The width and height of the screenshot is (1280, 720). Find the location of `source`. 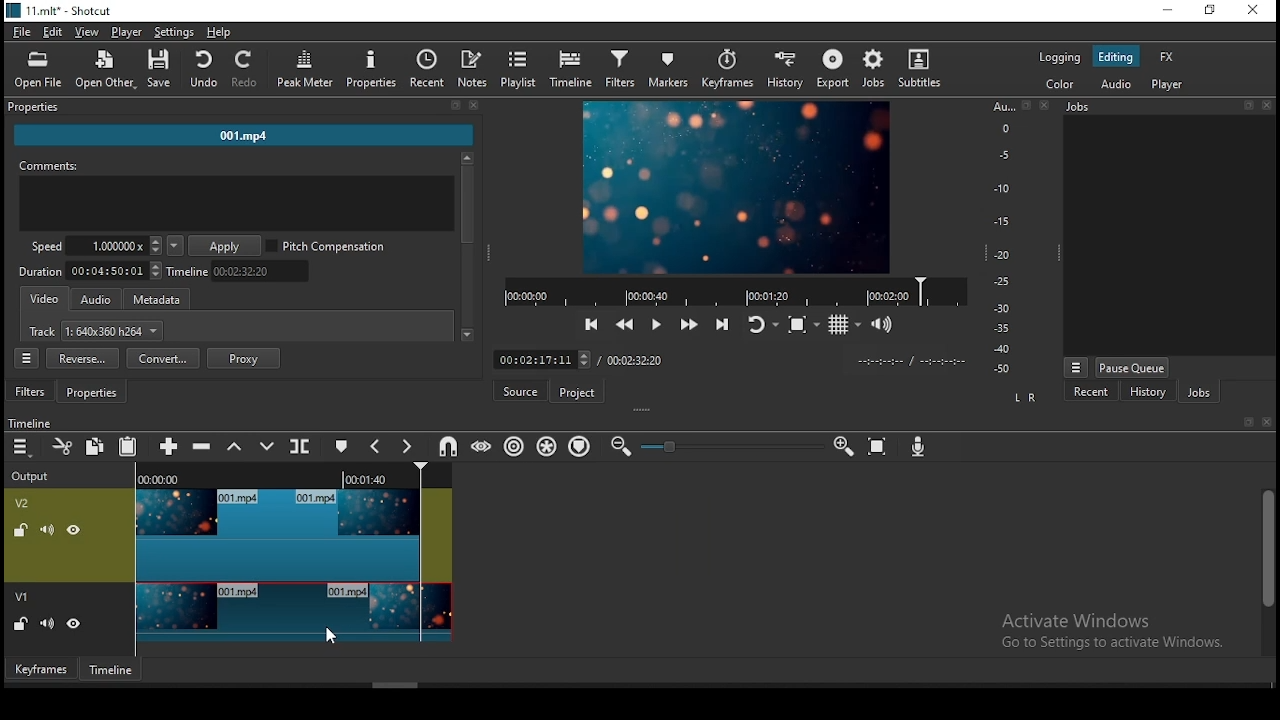

source is located at coordinates (523, 391).